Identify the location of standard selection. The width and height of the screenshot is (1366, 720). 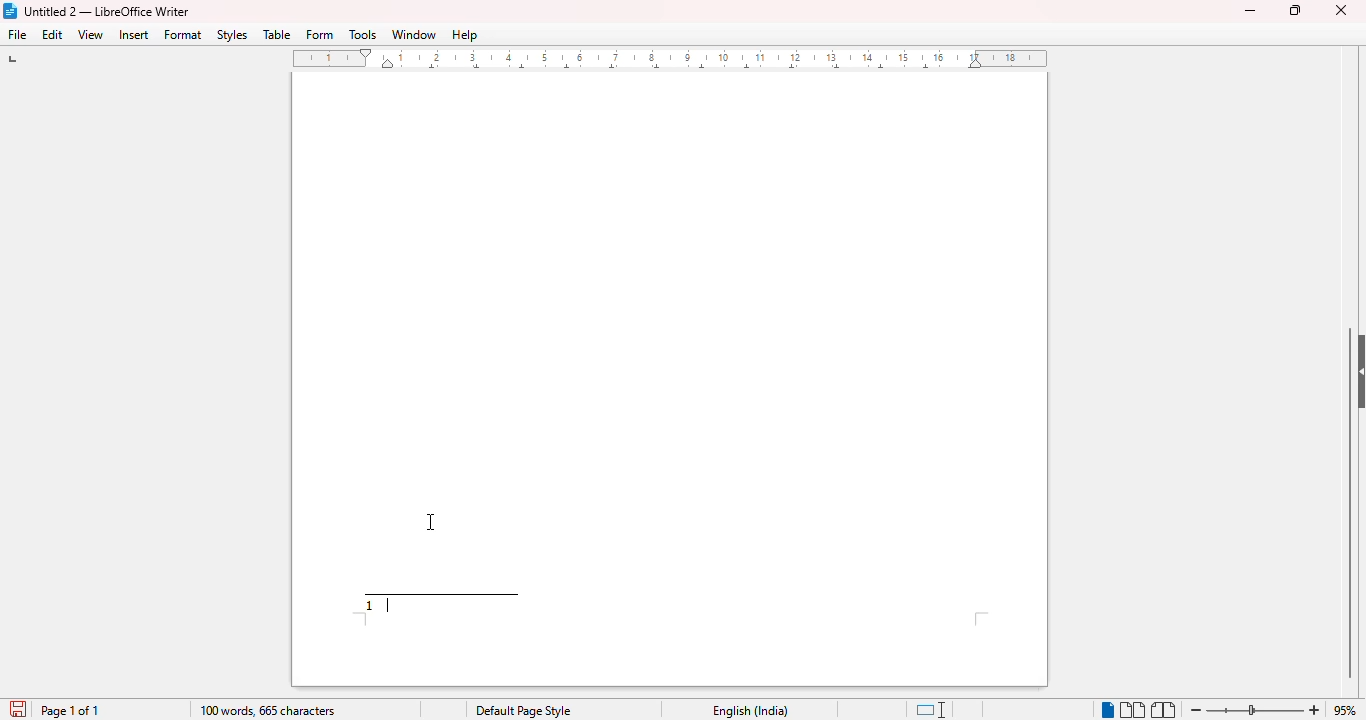
(931, 709).